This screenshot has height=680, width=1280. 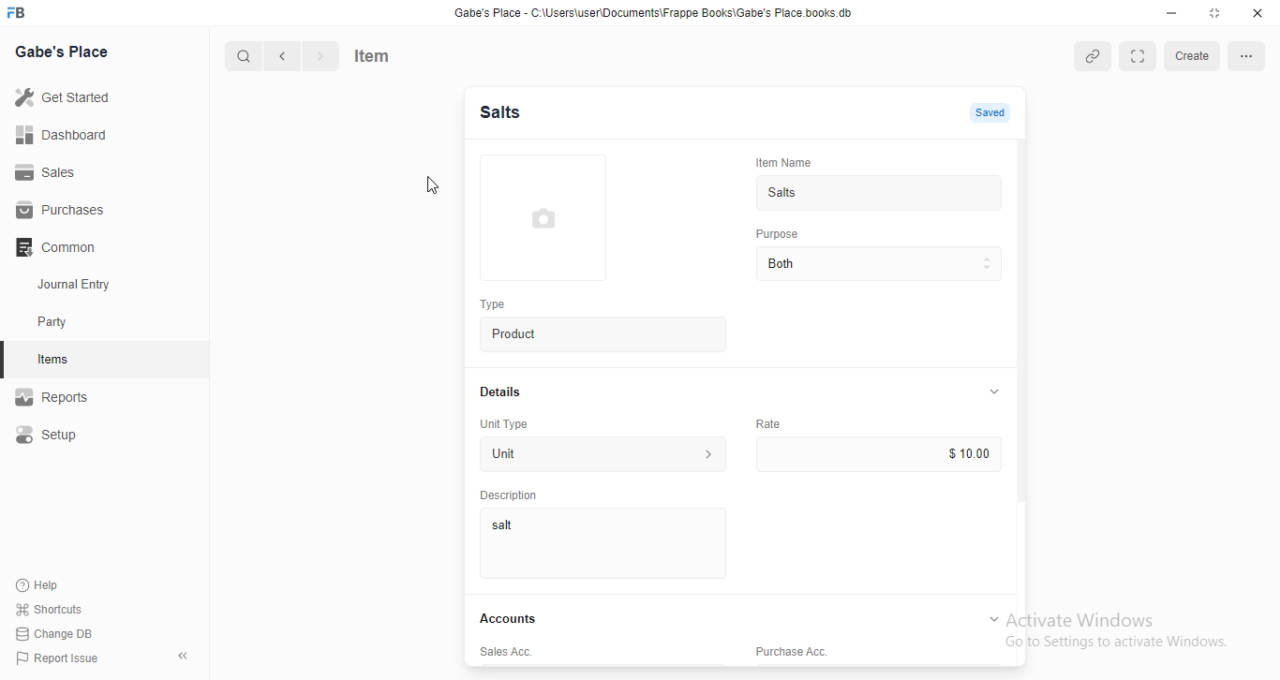 I want to click on Product, so click(x=520, y=335).